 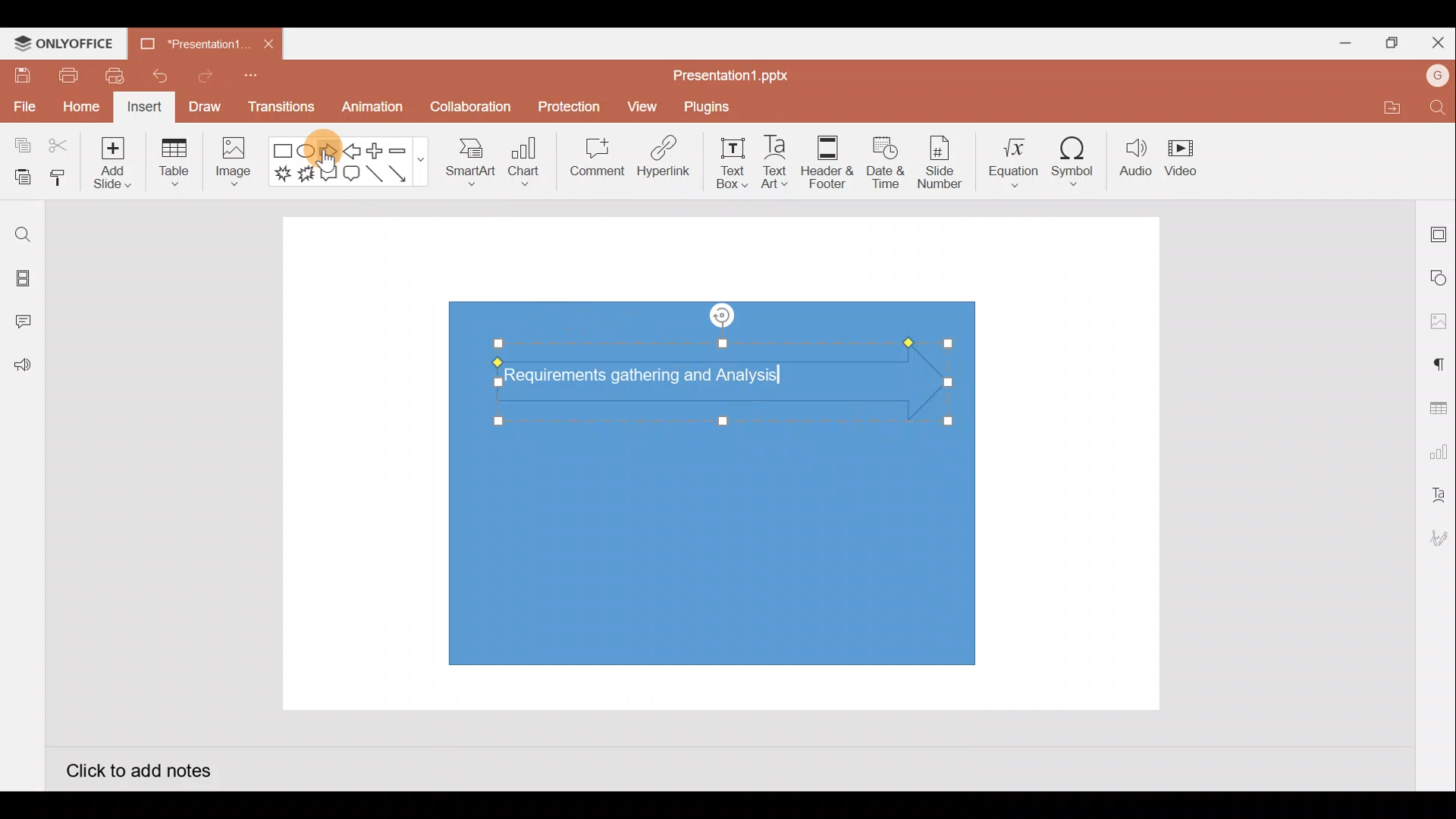 What do you see at coordinates (1439, 231) in the screenshot?
I see `Slide settings` at bounding box center [1439, 231].